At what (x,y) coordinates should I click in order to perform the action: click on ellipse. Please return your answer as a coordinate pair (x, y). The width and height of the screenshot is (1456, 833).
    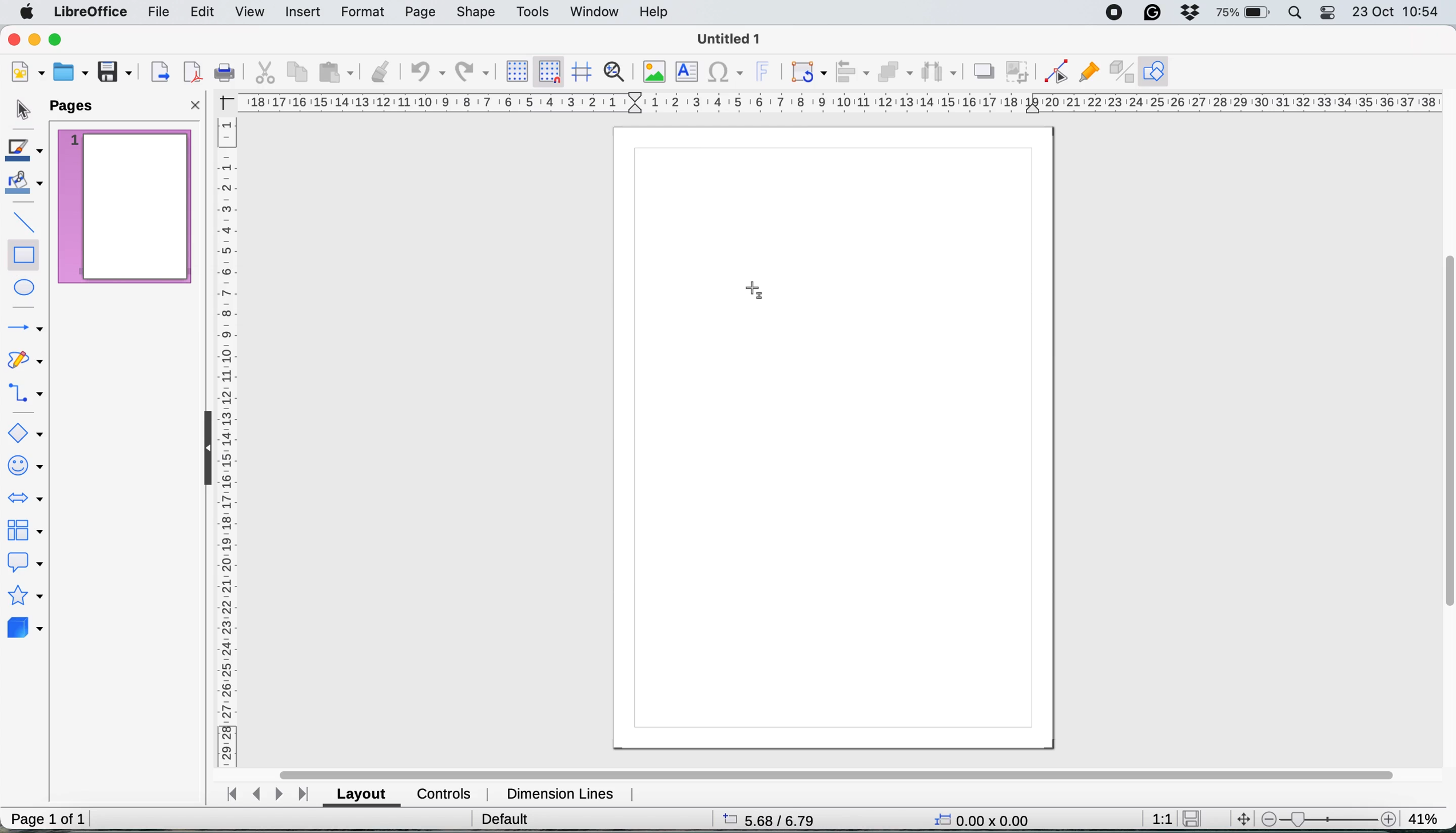
    Looking at the image, I should click on (27, 286).